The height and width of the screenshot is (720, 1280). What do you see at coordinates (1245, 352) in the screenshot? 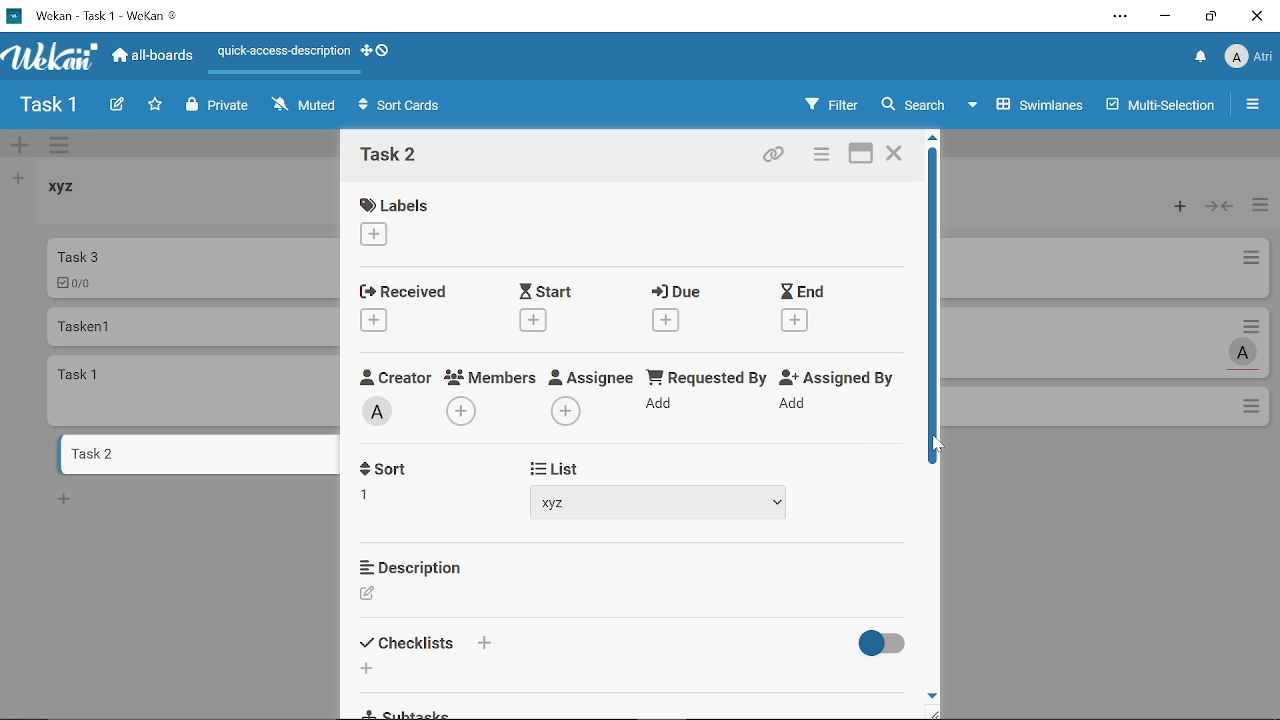
I see `Task assigned to` at bounding box center [1245, 352].